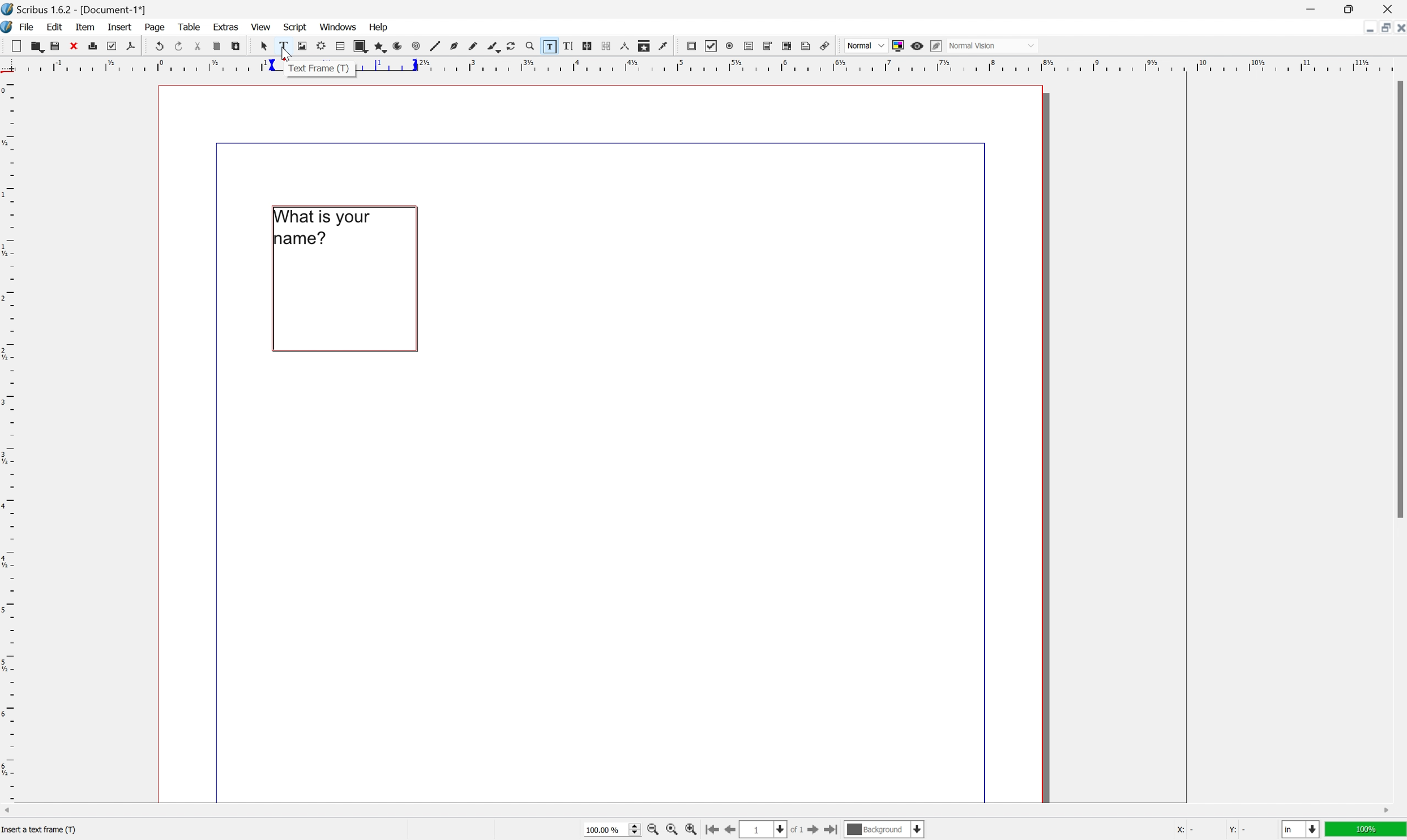  What do you see at coordinates (179, 45) in the screenshot?
I see `redo` at bounding box center [179, 45].